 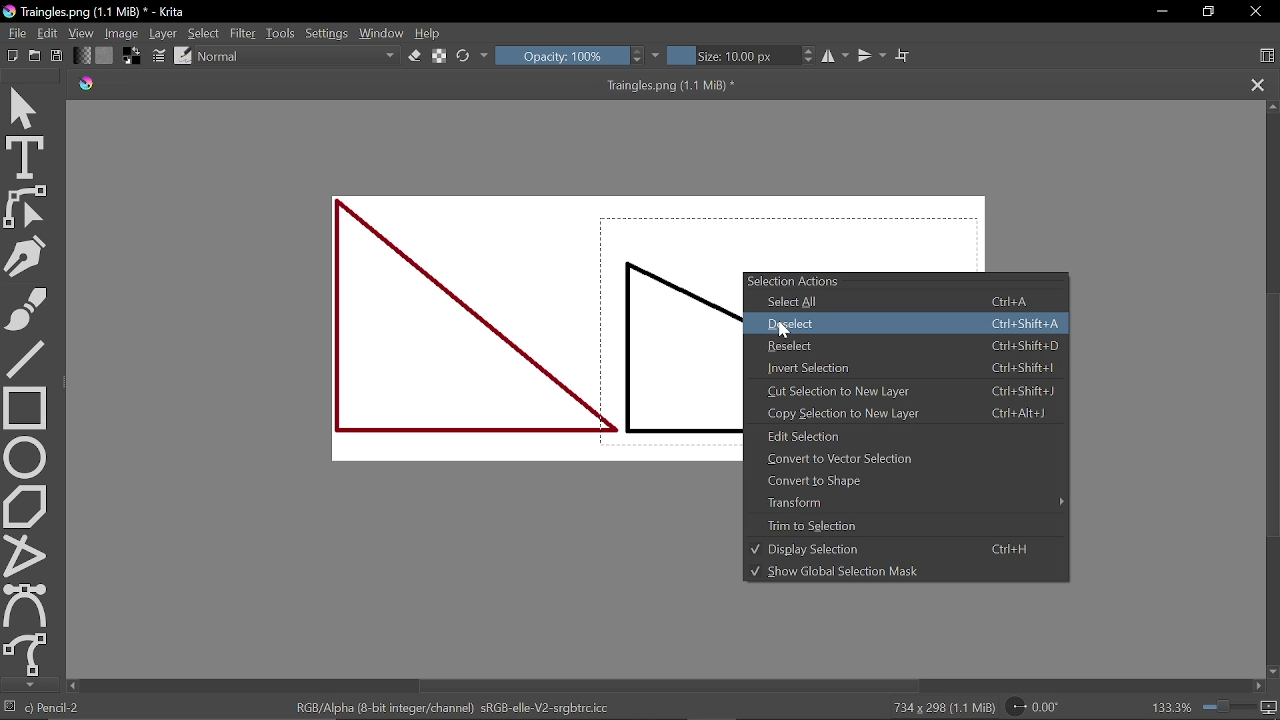 What do you see at coordinates (24, 159) in the screenshot?
I see `Text tool` at bounding box center [24, 159].